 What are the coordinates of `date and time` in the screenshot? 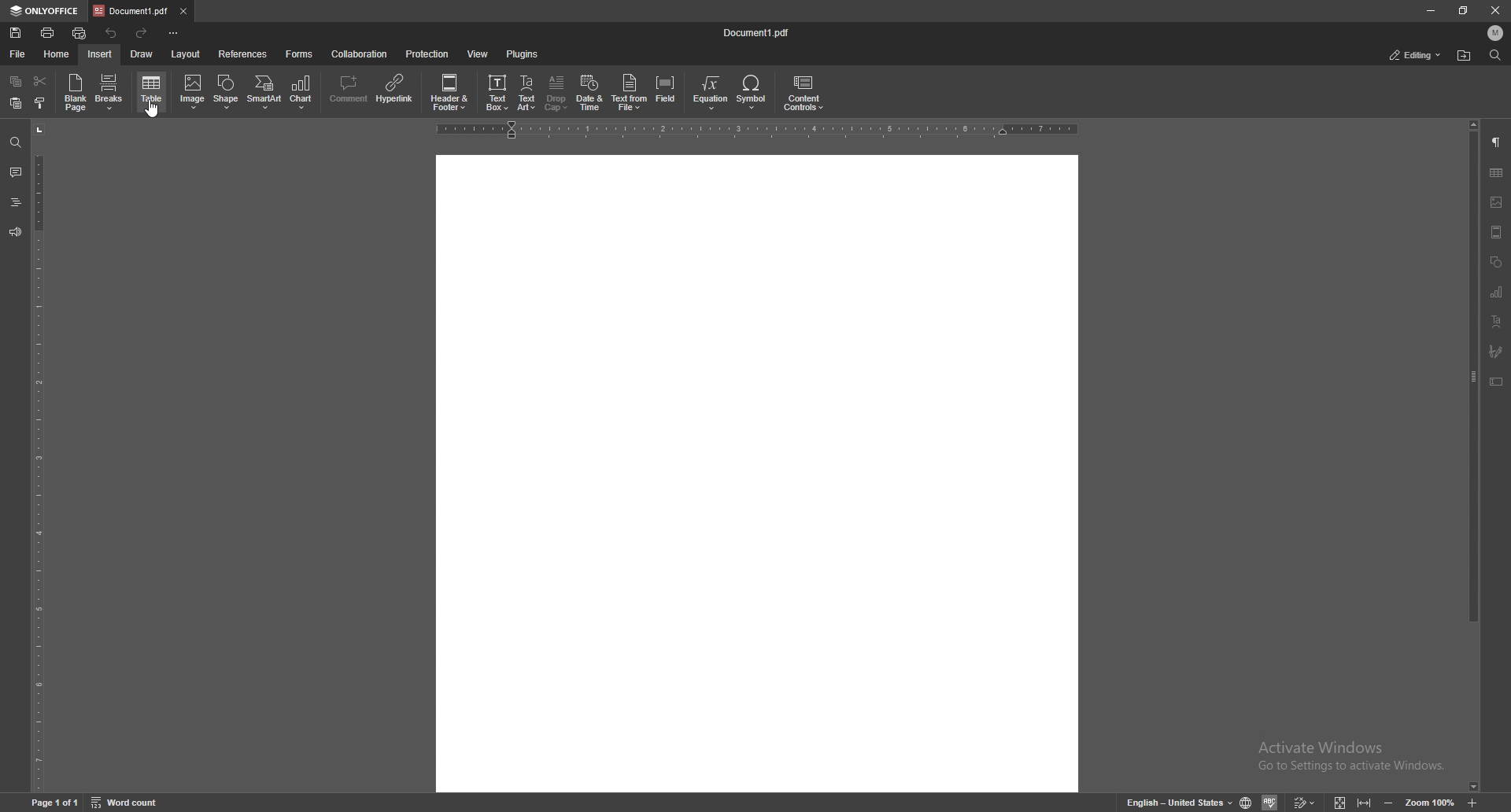 It's located at (589, 94).